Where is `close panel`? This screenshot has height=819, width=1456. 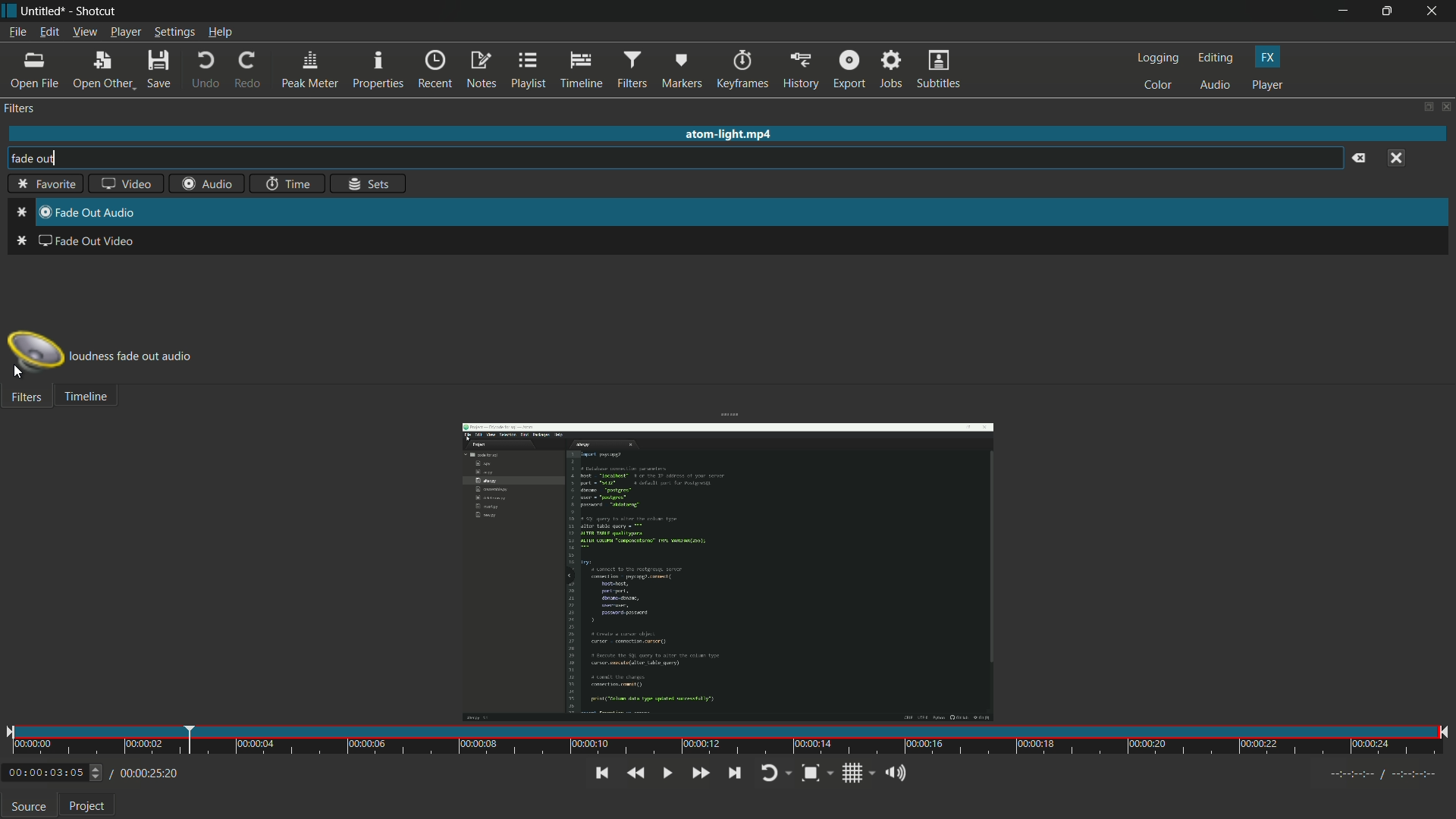
close panel is located at coordinates (1447, 108).